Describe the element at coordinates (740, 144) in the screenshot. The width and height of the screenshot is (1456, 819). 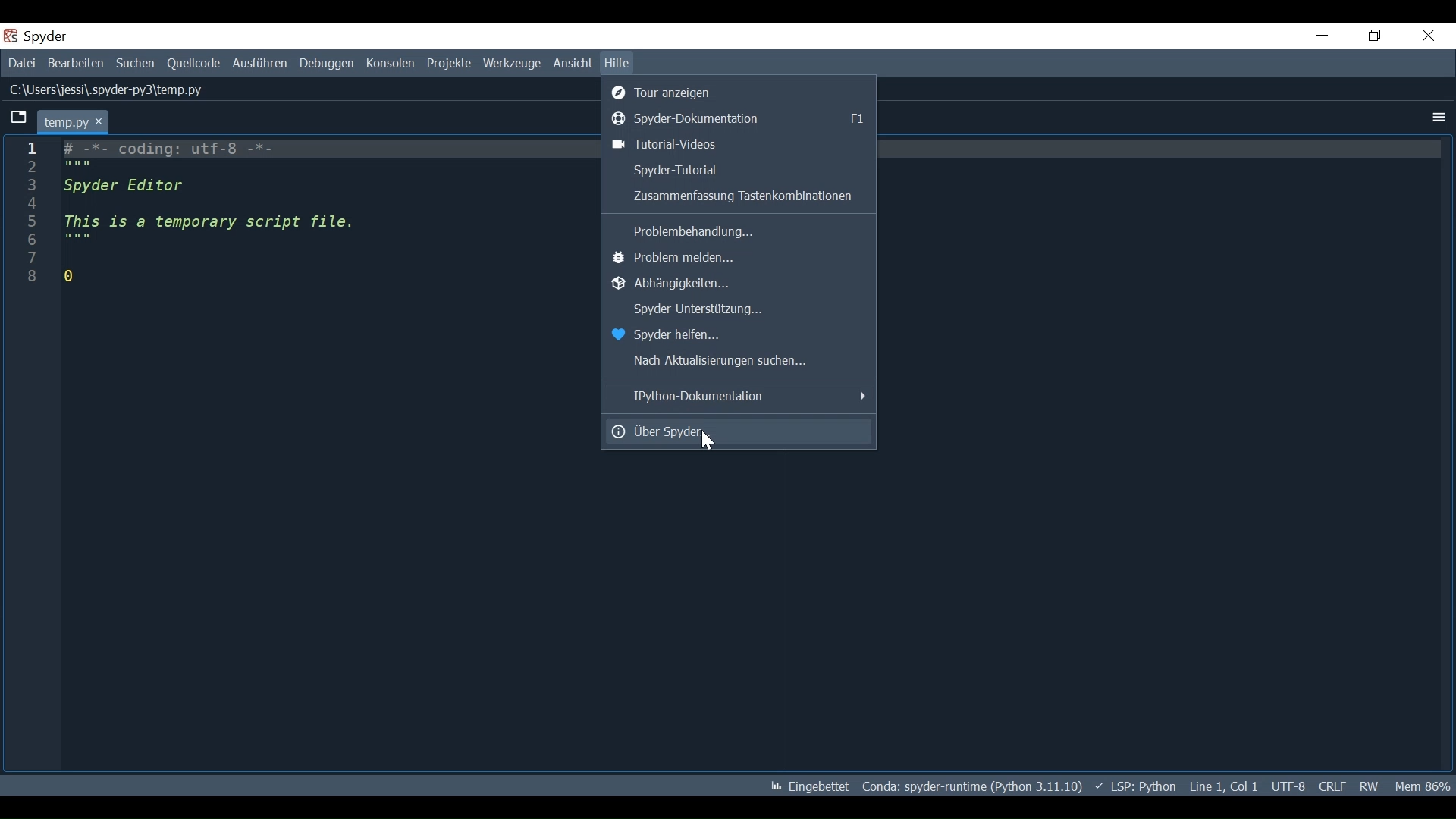
I see `Tutorial Videos` at that location.